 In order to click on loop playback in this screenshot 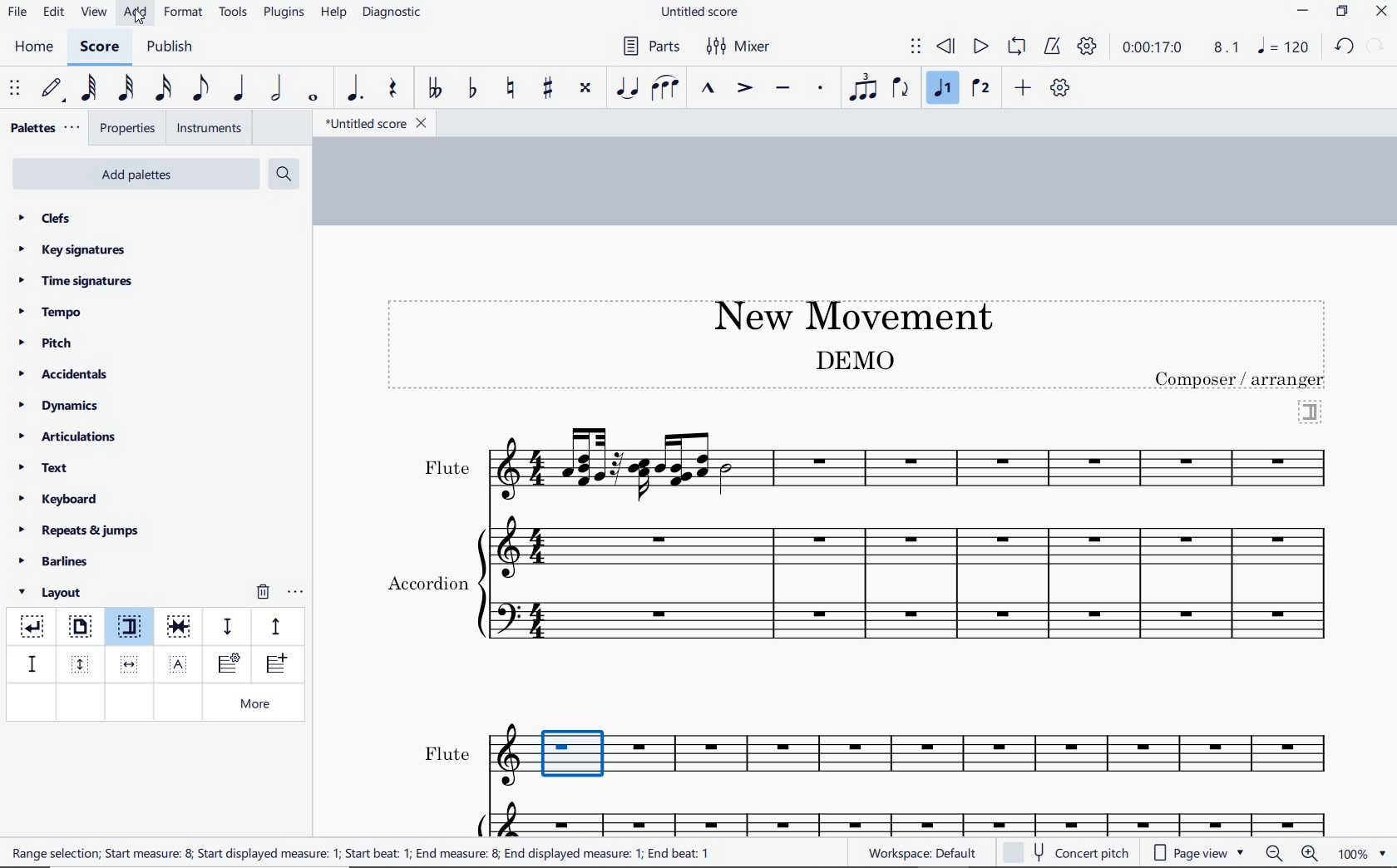, I will do `click(1019, 47)`.